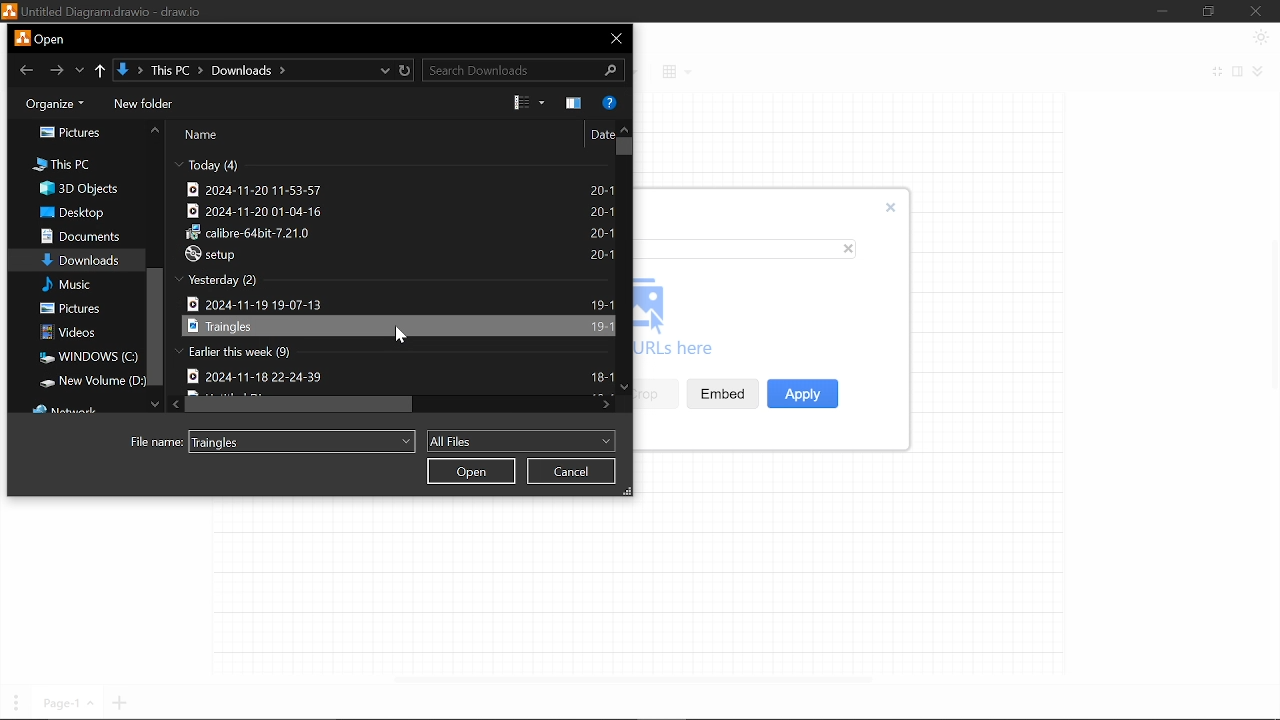 This screenshot has width=1280, height=720. What do you see at coordinates (205, 136) in the screenshot?
I see `Name` at bounding box center [205, 136].